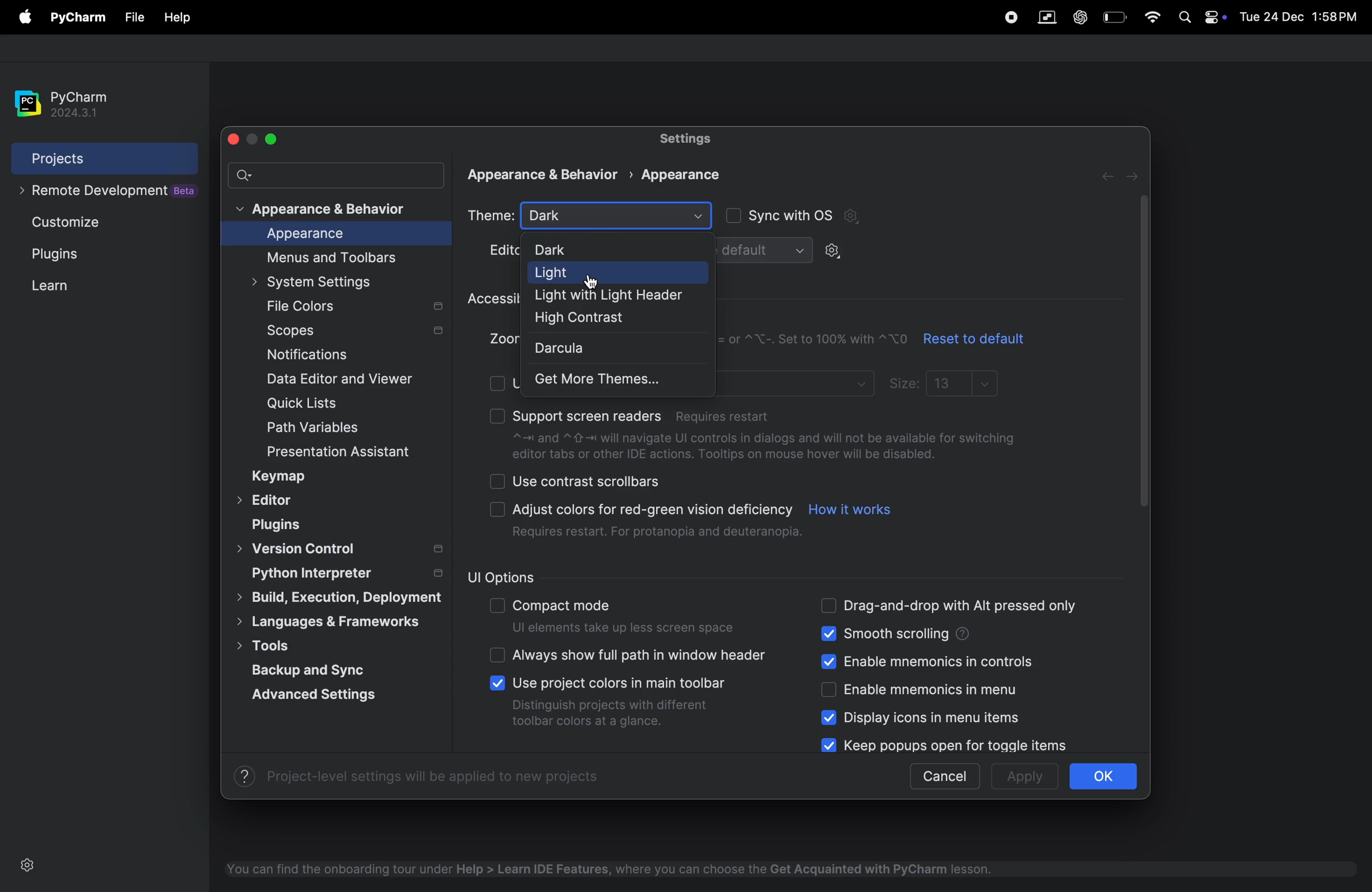 This screenshot has width=1372, height=892. I want to click on next, so click(1132, 176).